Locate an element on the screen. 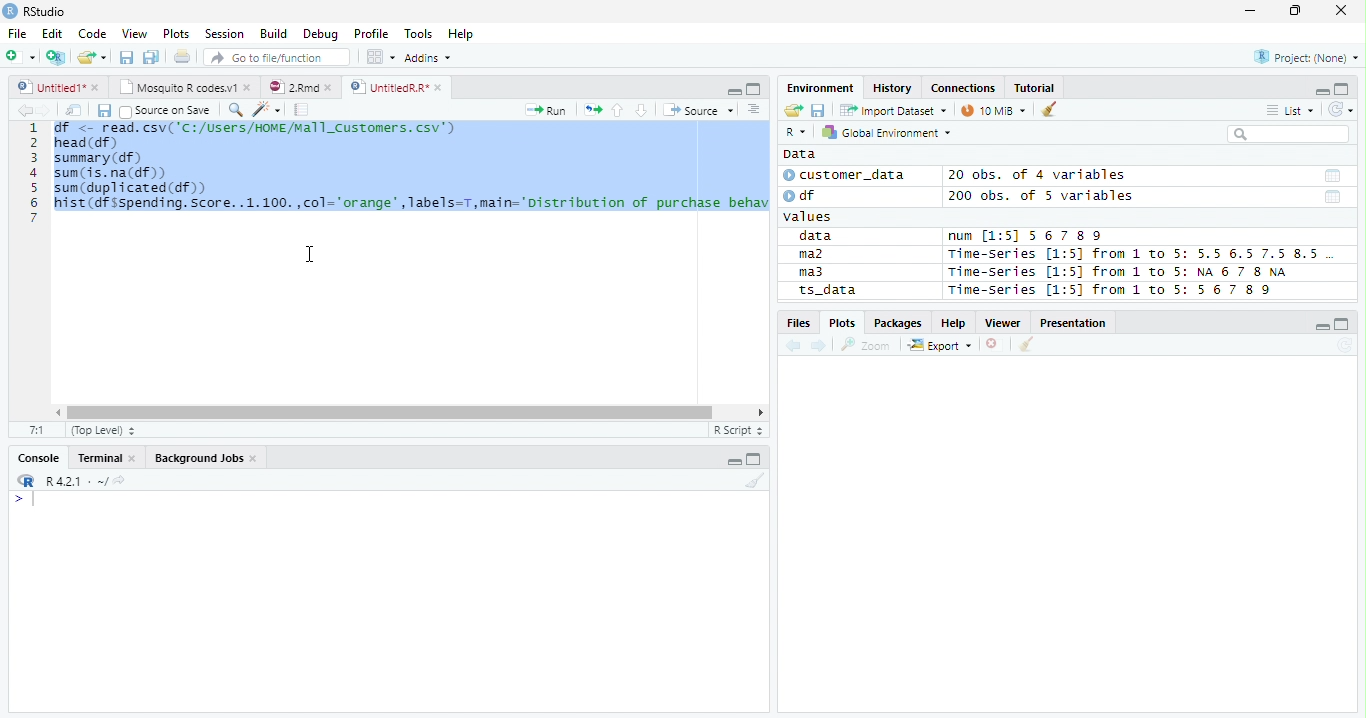 Image resolution: width=1366 pixels, height=718 pixels. Data is located at coordinates (799, 154).